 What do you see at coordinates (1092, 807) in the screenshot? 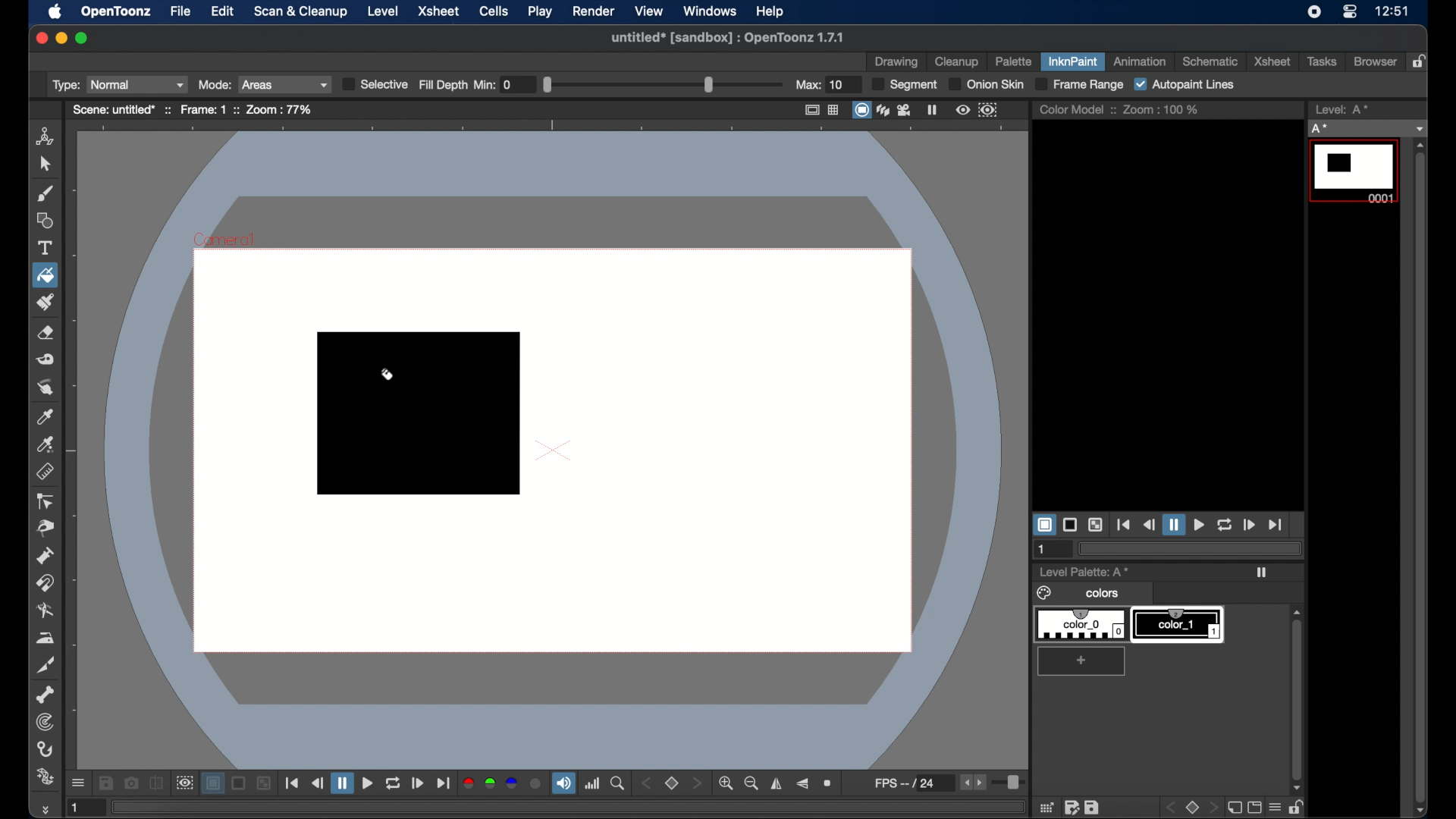
I see `save` at bounding box center [1092, 807].